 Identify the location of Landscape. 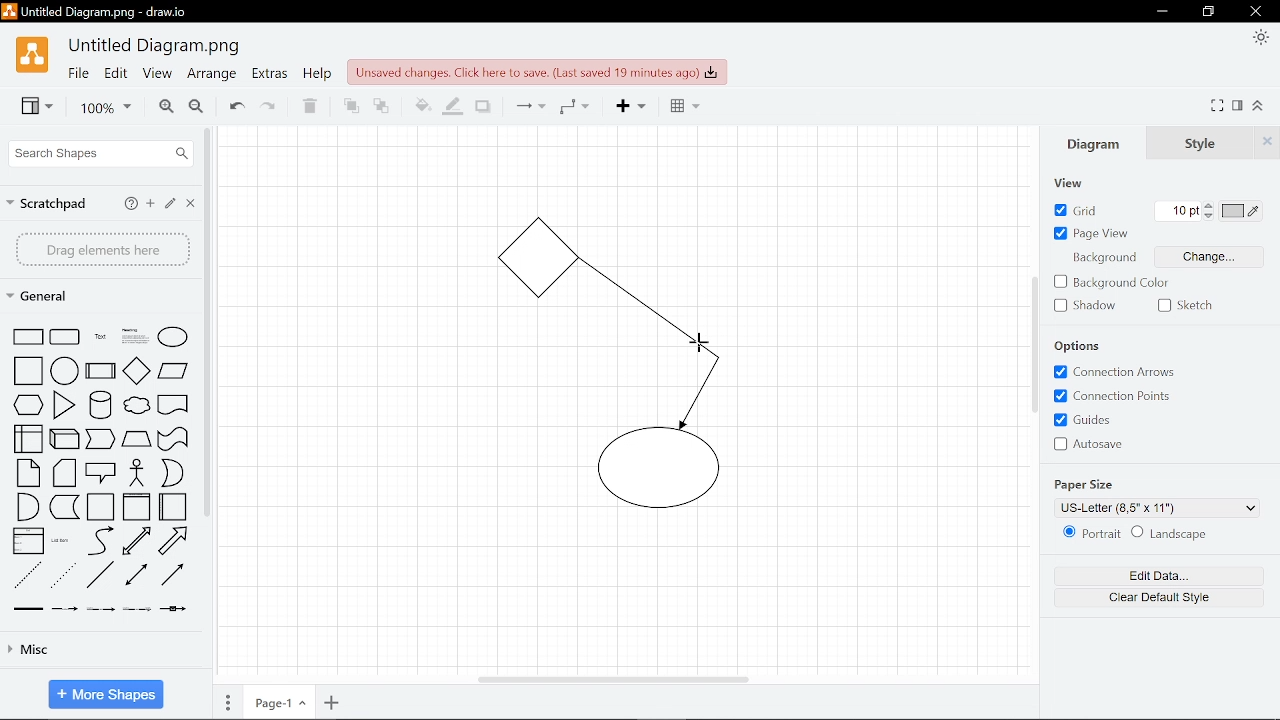
(1179, 534).